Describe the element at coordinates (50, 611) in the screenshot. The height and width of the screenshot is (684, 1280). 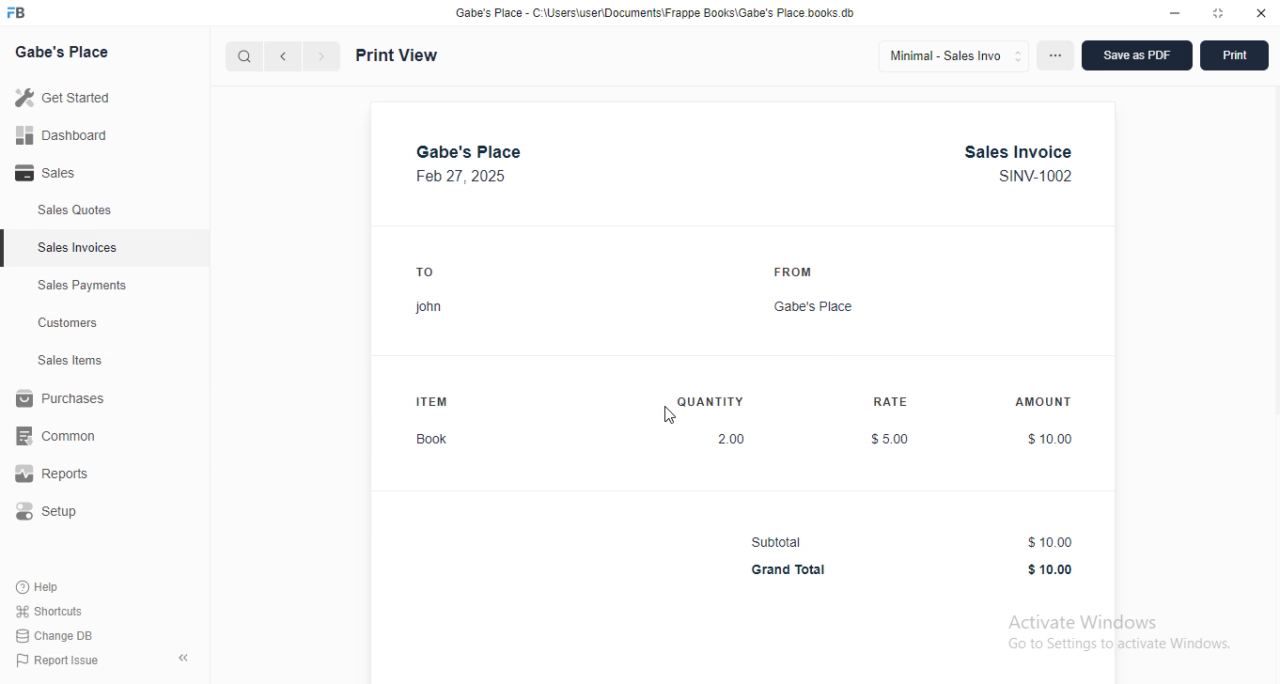
I see `shortcuts` at that location.